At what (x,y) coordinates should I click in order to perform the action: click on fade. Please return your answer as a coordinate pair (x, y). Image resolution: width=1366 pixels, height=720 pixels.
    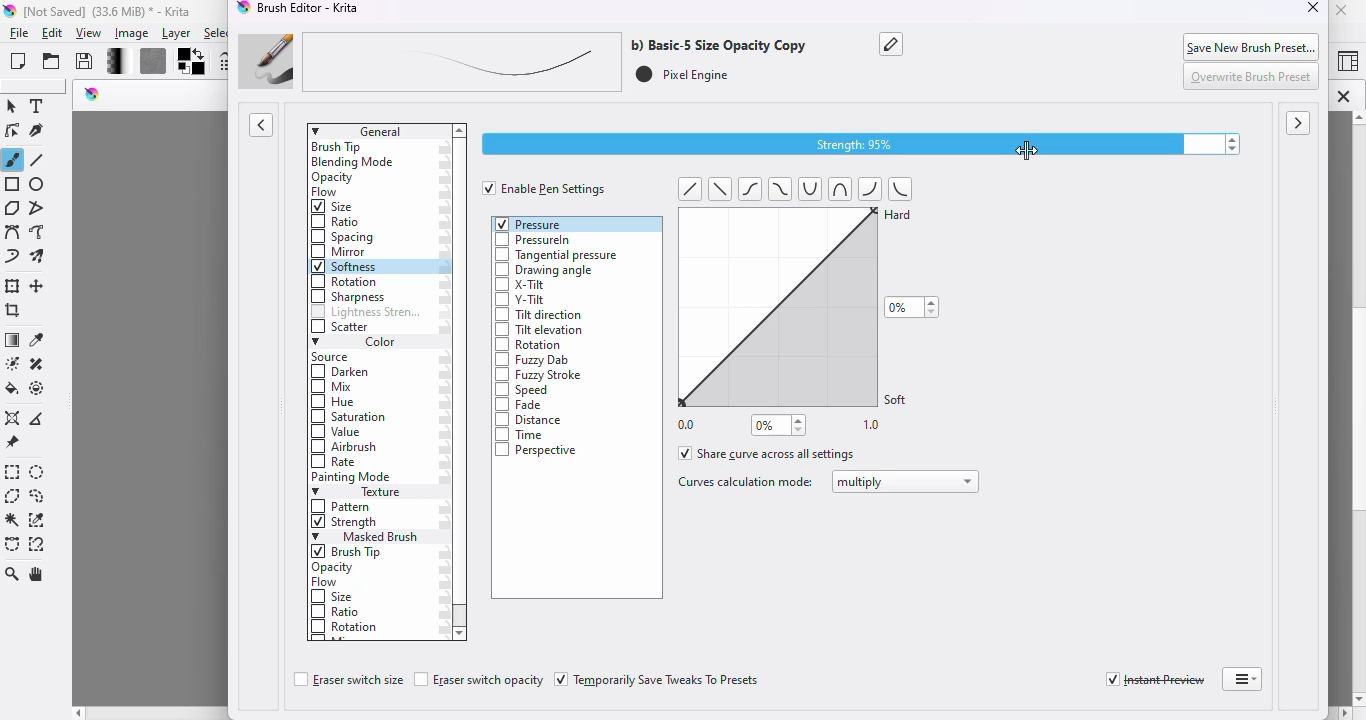
    Looking at the image, I should click on (521, 406).